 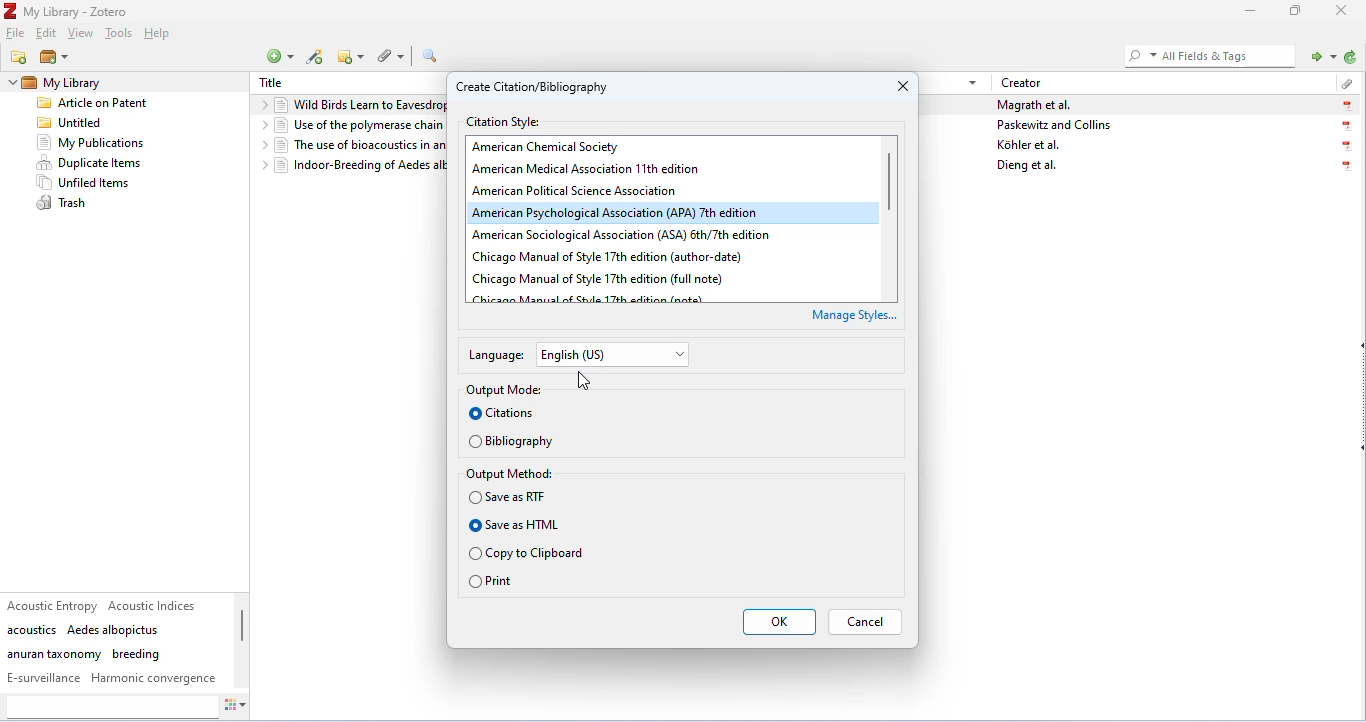 What do you see at coordinates (636, 212) in the screenshot?
I see `american psychological association(APA) 7th edition` at bounding box center [636, 212].